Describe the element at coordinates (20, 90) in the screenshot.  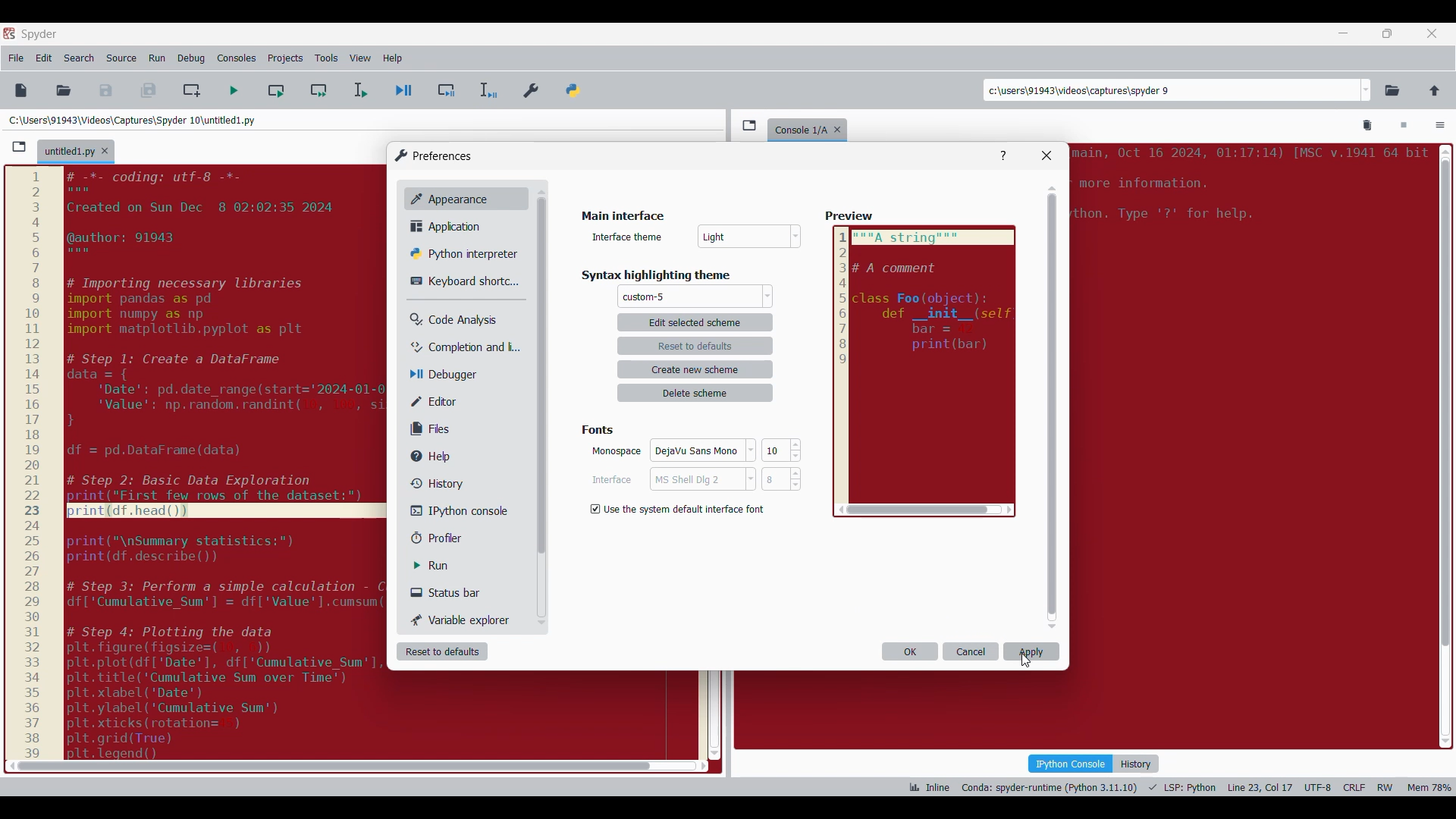
I see `New file` at that location.